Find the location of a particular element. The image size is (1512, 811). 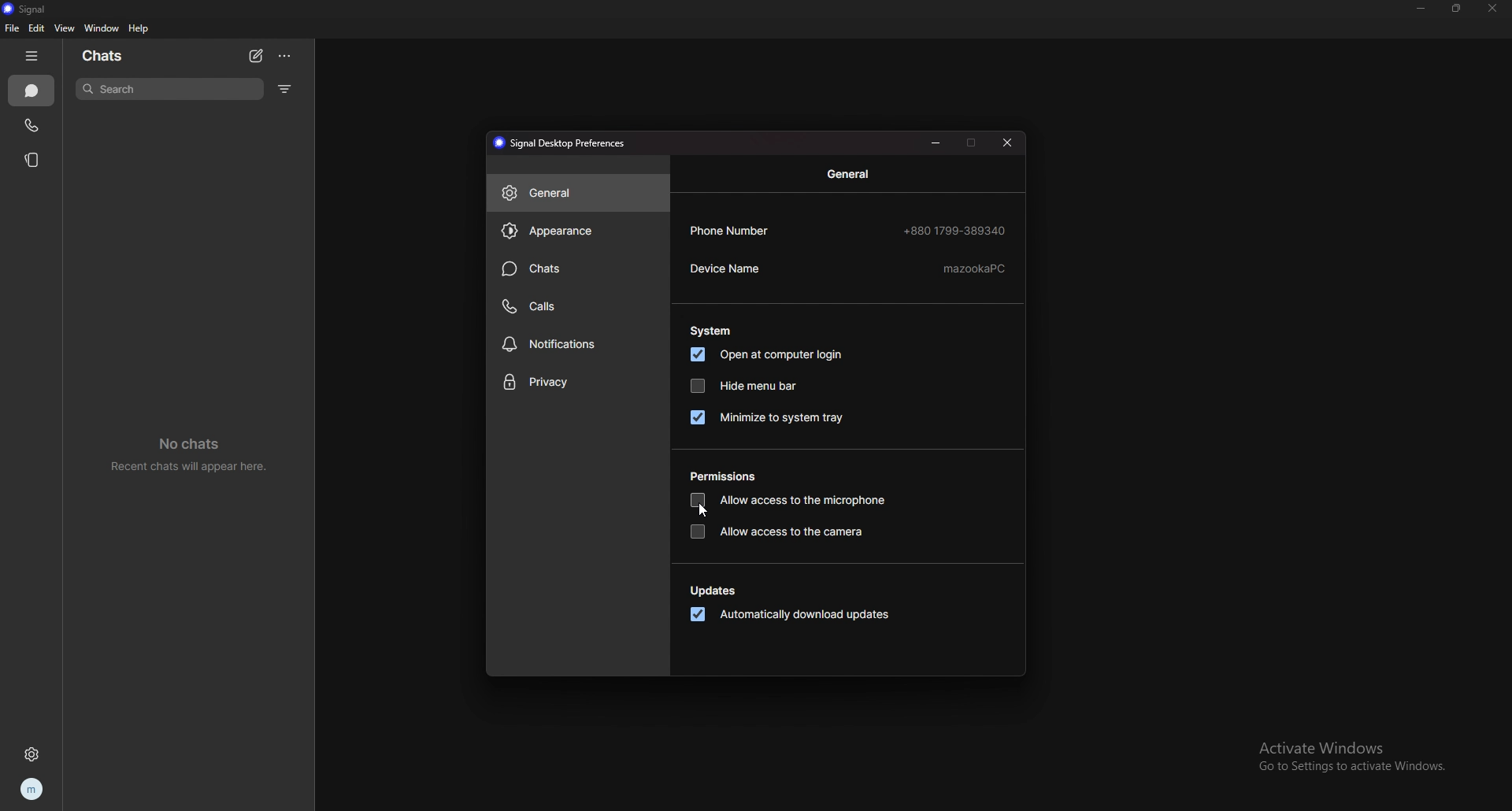

hide menu bar is located at coordinates (745, 385).